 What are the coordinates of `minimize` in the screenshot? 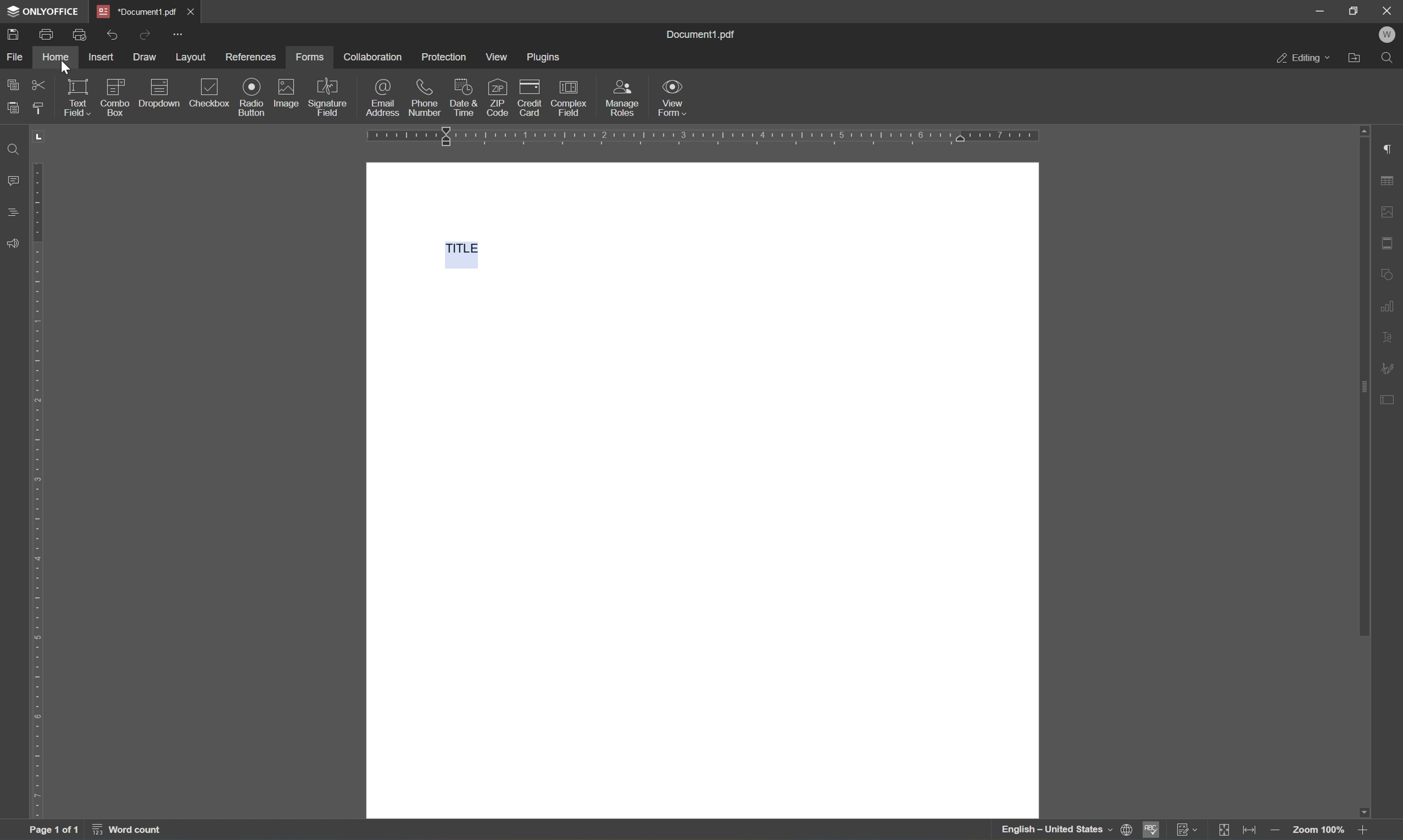 It's located at (1319, 11).